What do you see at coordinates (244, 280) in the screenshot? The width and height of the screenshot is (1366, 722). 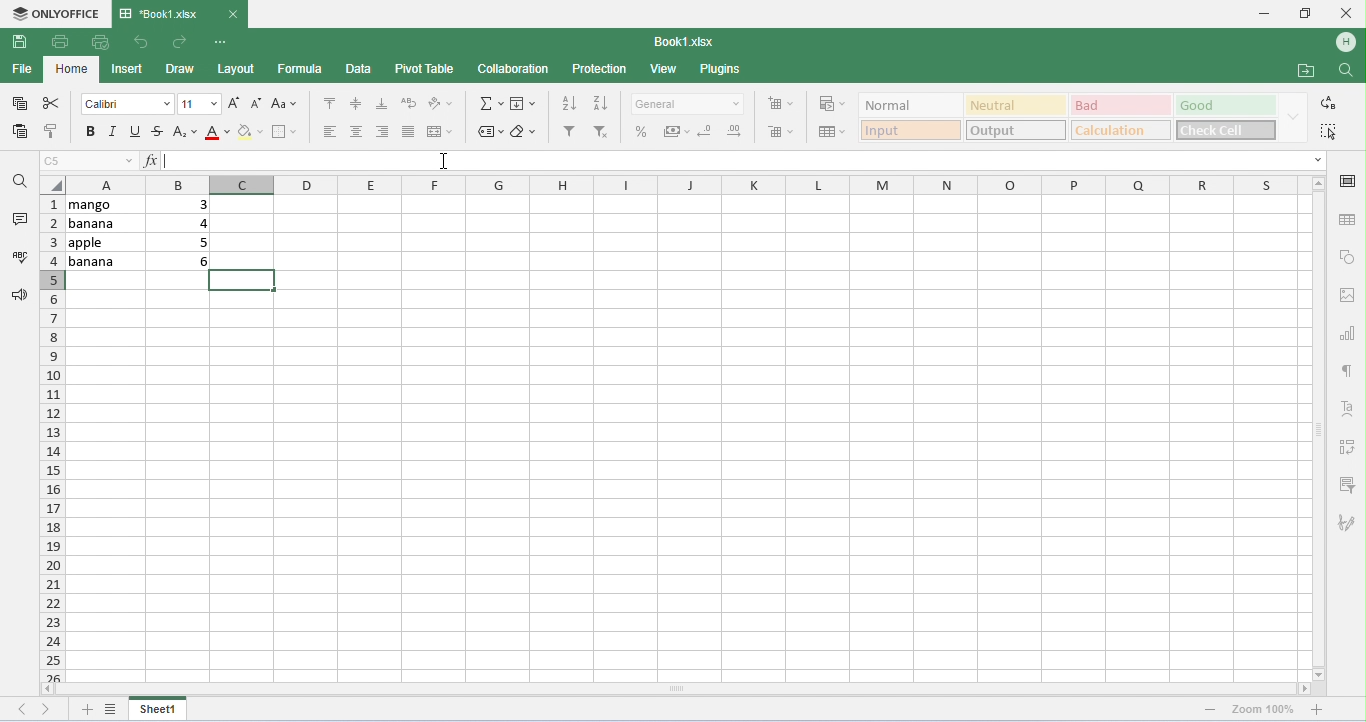 I see `selected cell` at bounding box center [244, 280].